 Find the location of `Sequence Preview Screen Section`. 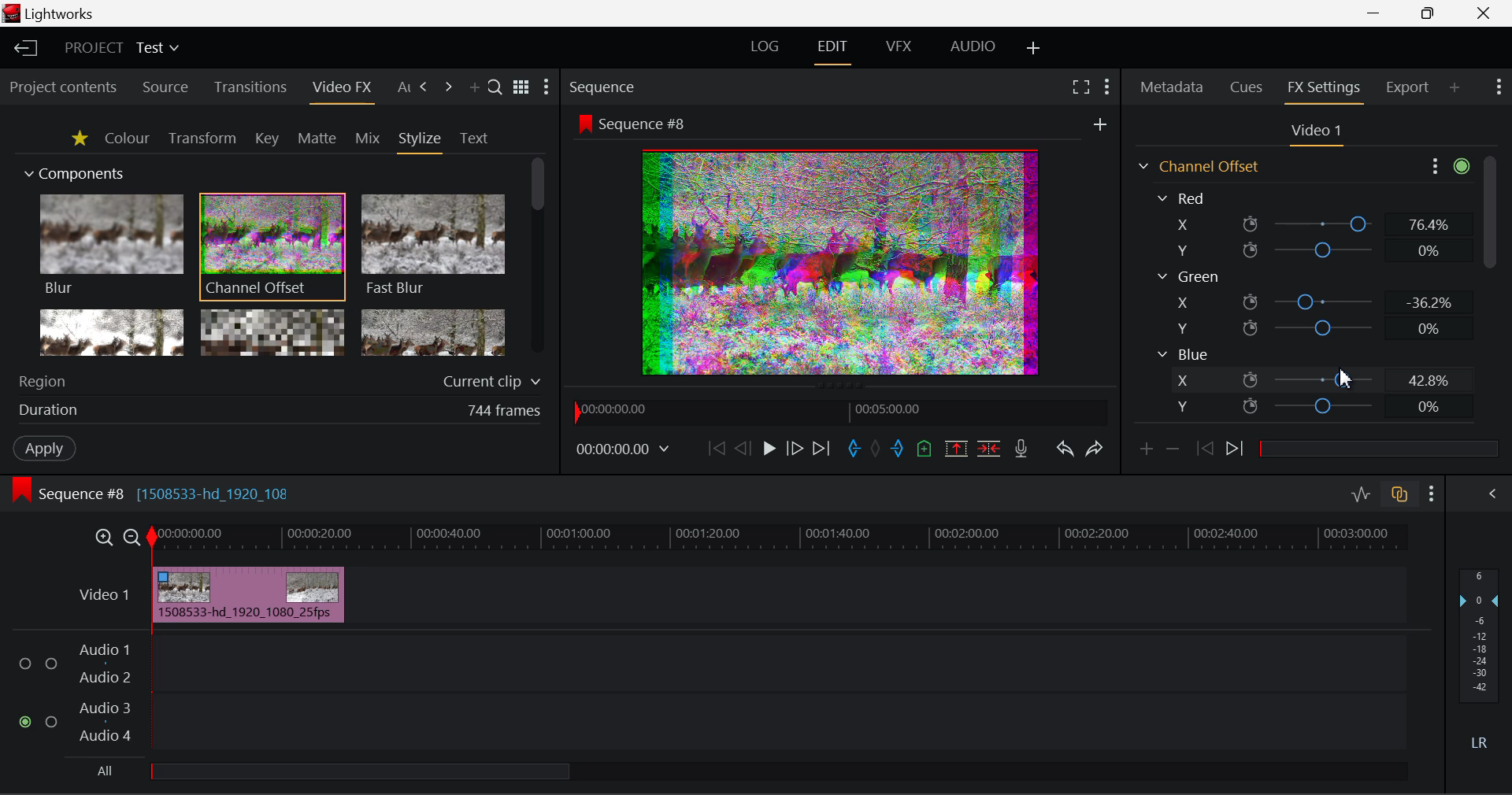

Sequence Preview Screen Section is located at coordinates (842, 122).